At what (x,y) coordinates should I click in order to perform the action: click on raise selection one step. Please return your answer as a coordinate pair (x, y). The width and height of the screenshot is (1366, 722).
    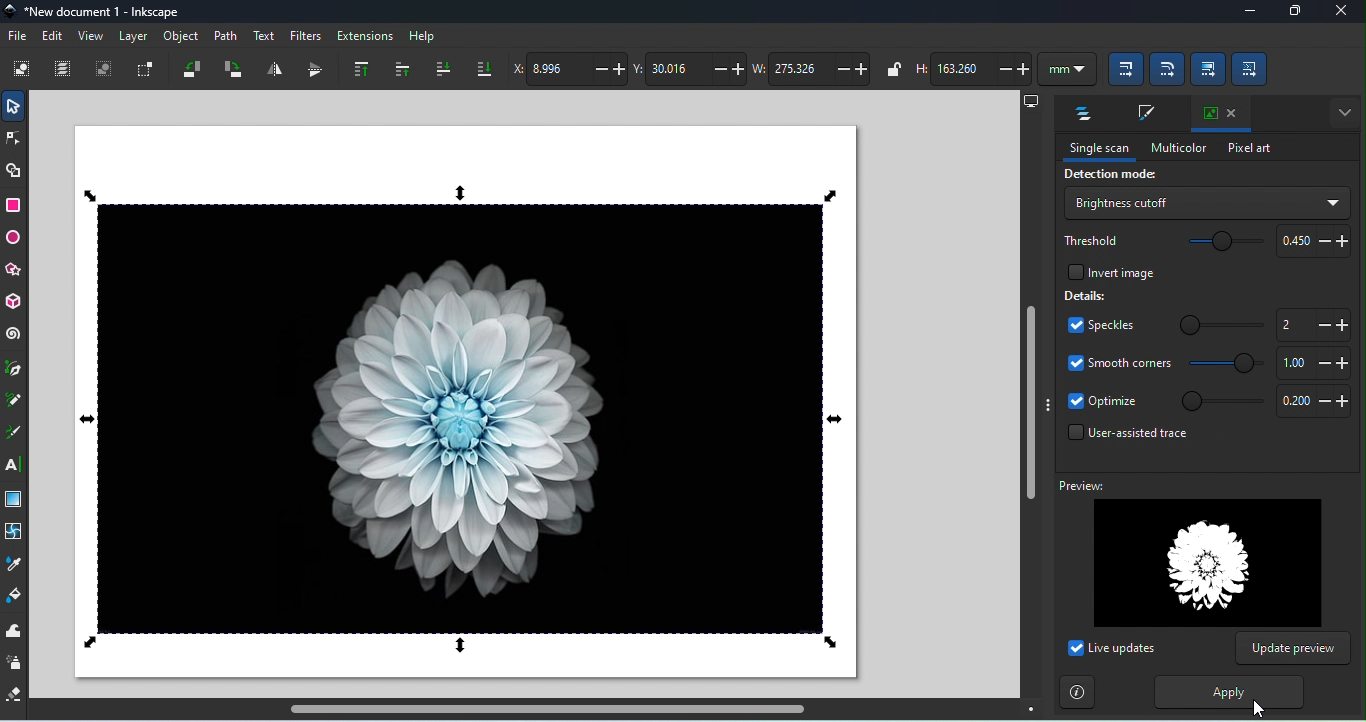
    Looking at the image, I should click on (399, 68).